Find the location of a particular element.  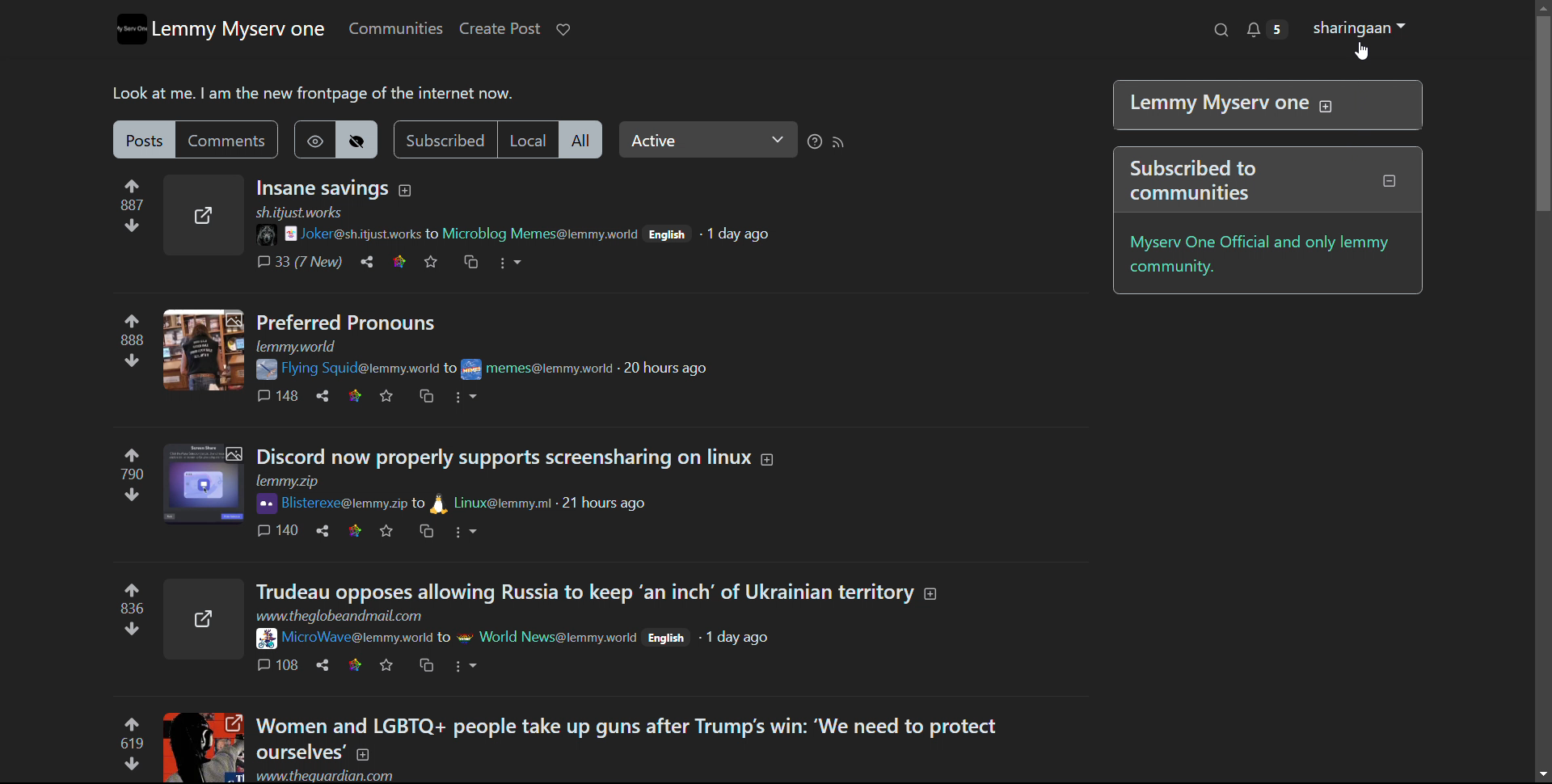

1 day ago is located at coordinates (738, 638).